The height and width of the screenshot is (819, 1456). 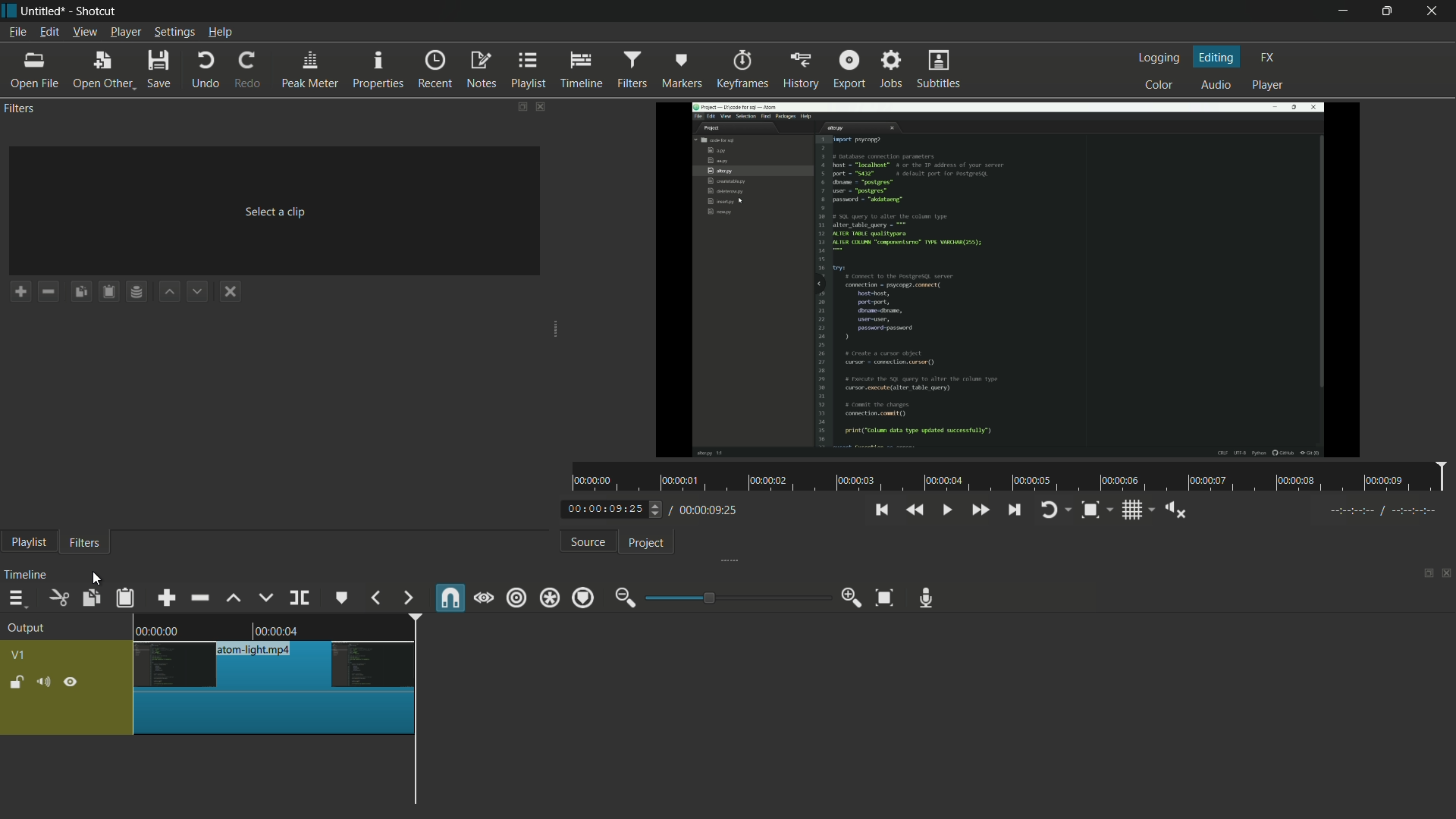 What do you see at coordinates (648, 544) in the screenshot?
I see `project` at bounding box center [648, 544].